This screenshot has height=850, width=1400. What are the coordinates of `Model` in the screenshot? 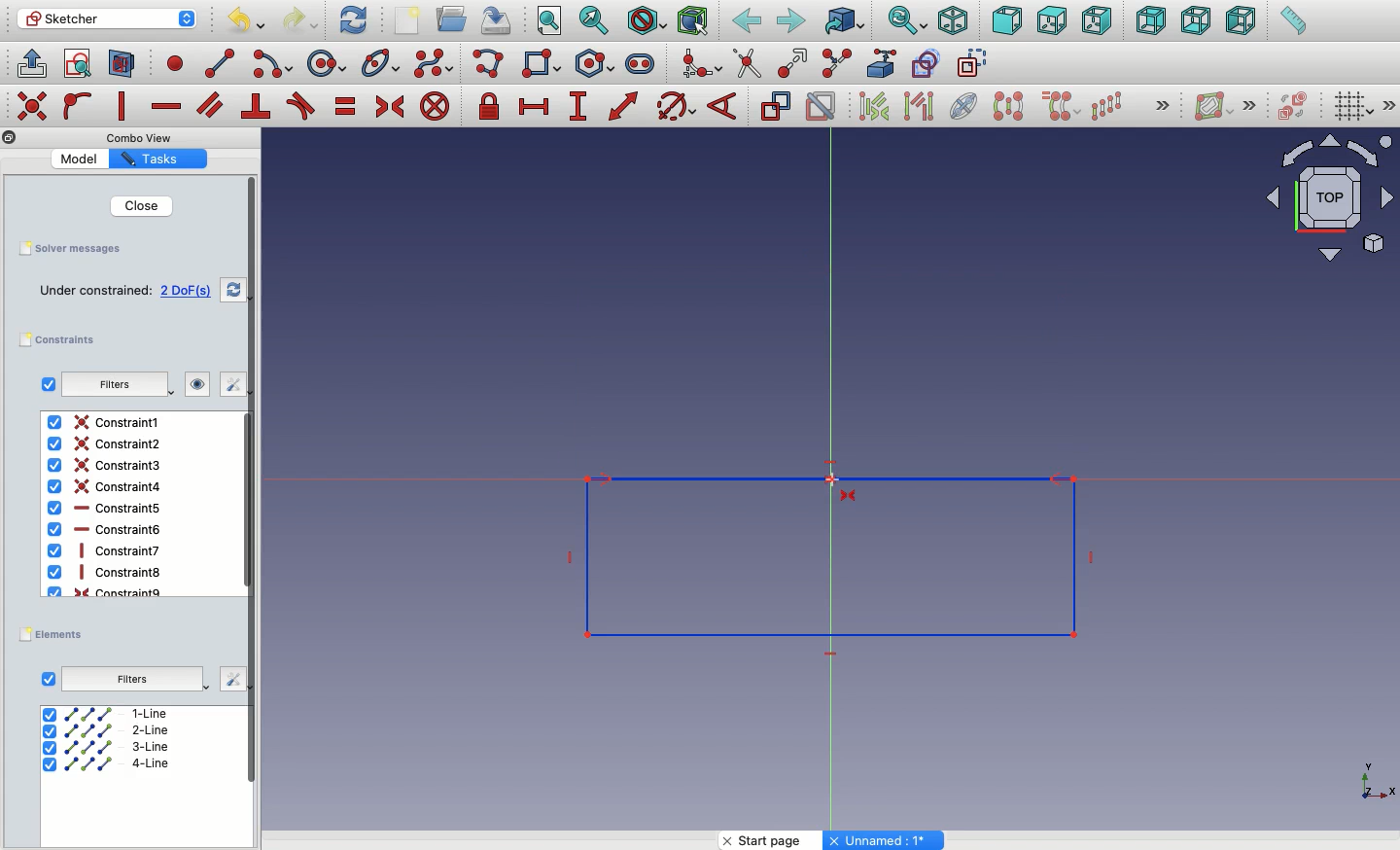 It's located at (83, 159).